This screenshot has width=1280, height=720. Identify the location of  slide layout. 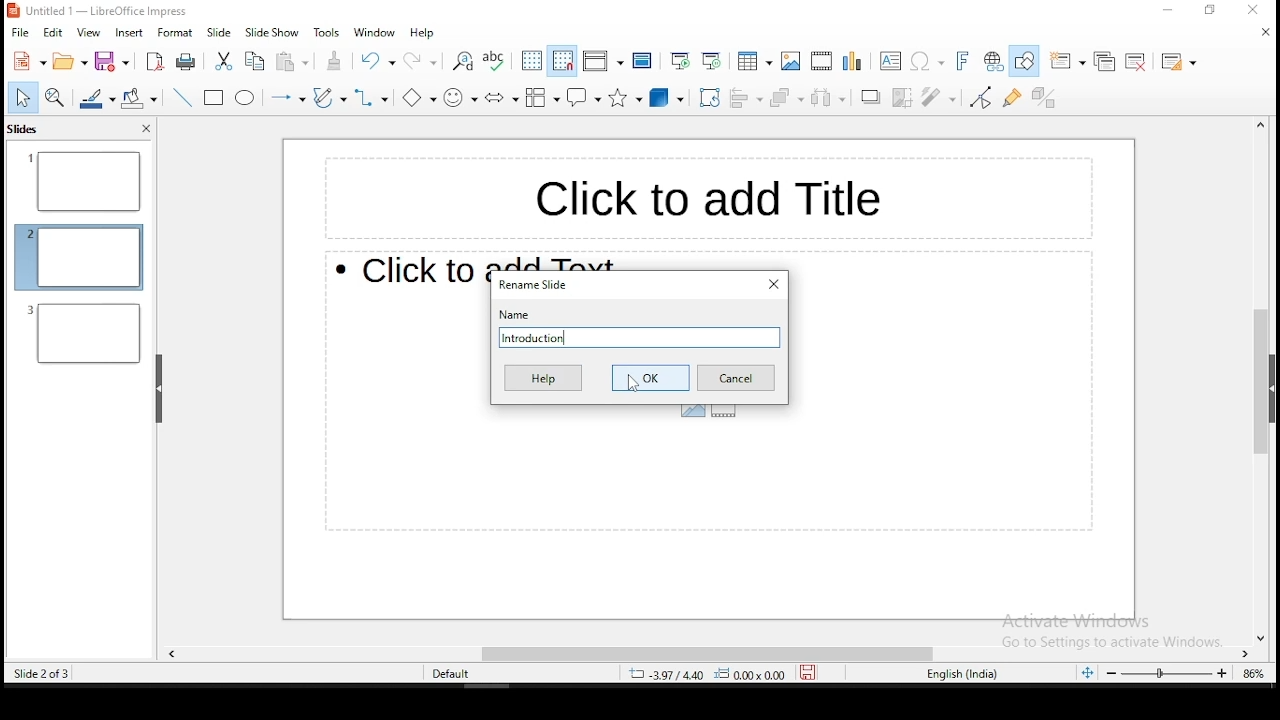
(1178, 62).